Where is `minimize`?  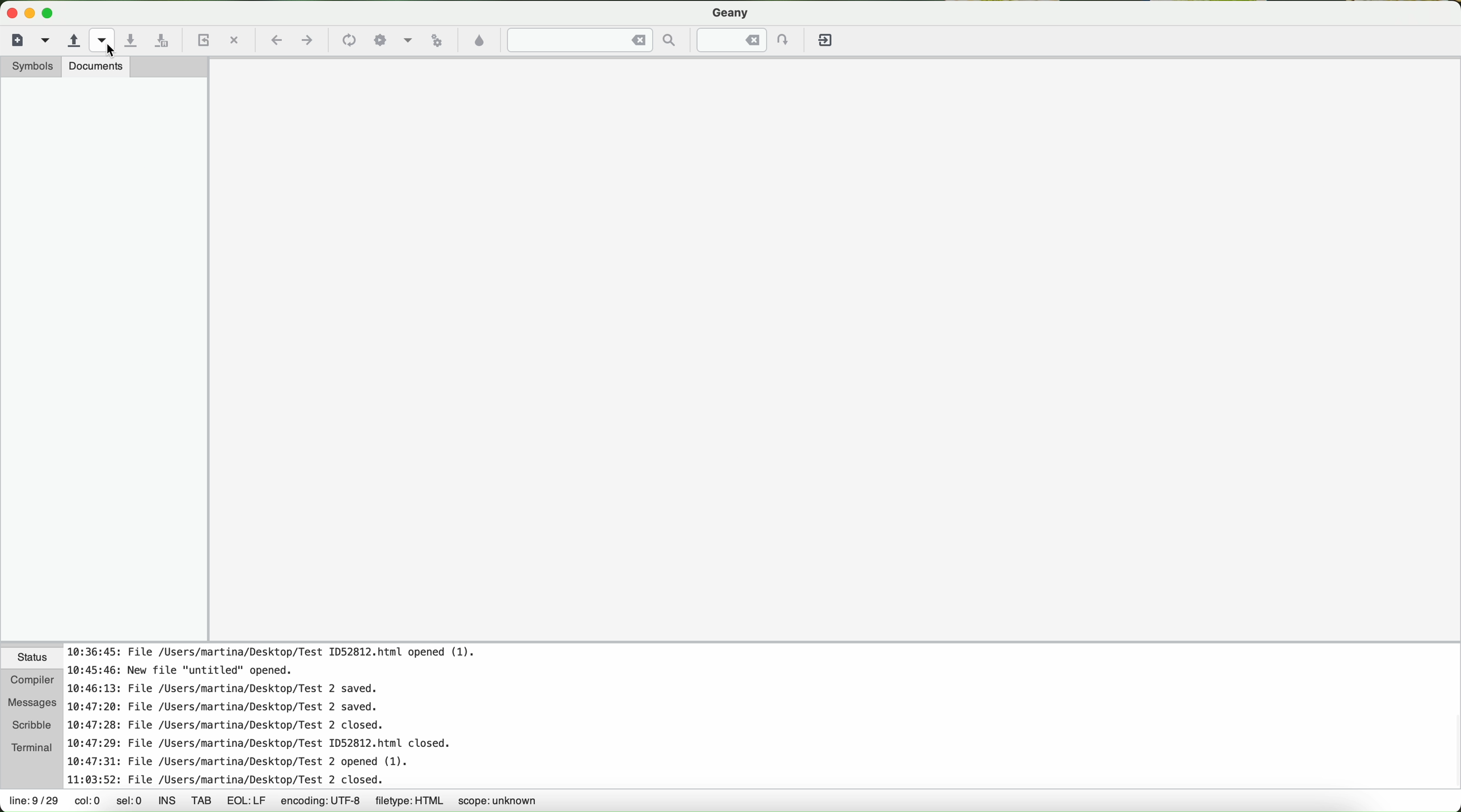 minimize is located at coordinates (30, 14).